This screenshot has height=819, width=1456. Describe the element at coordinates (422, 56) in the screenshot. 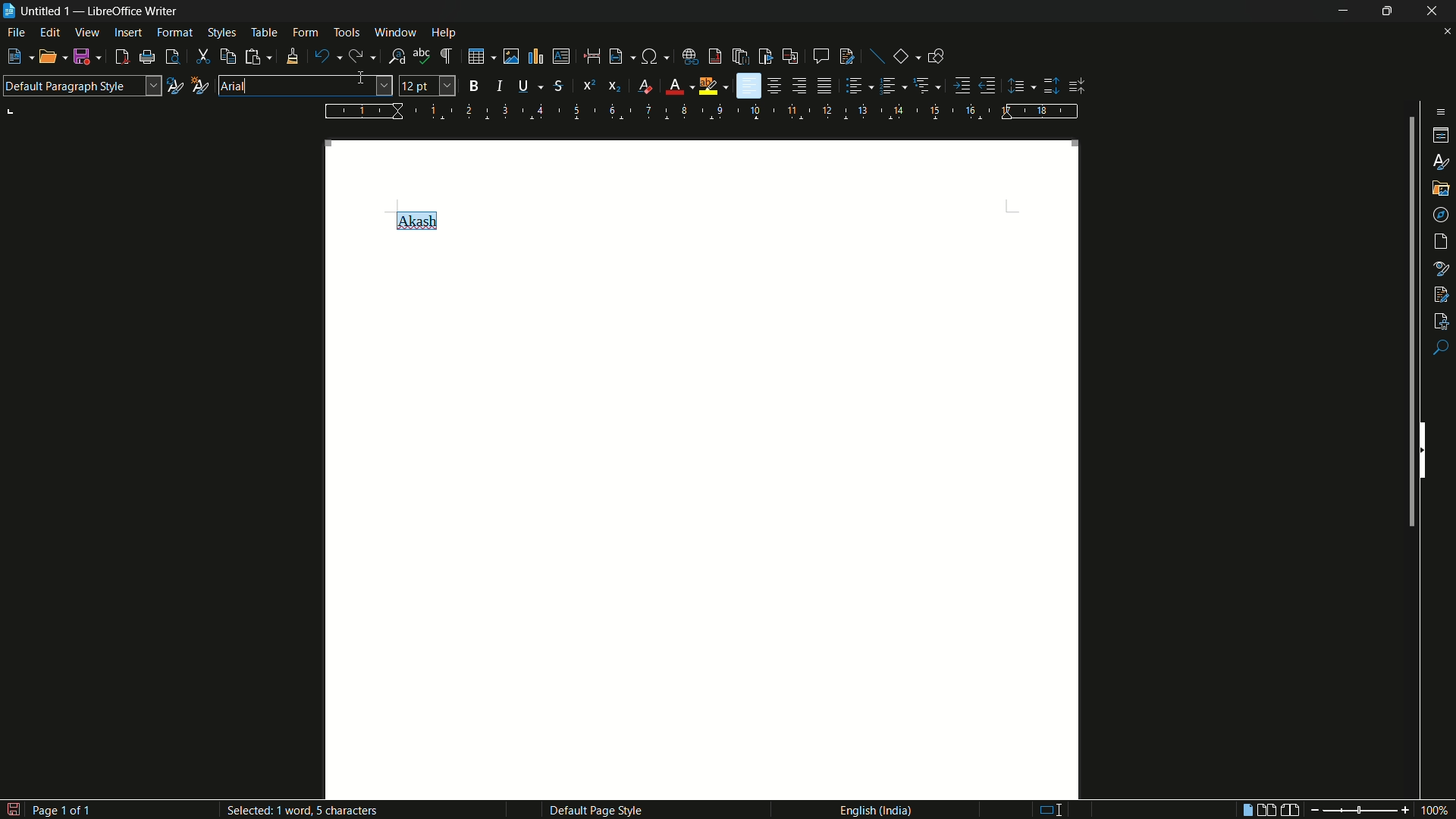

I see `check spelling` at that location.